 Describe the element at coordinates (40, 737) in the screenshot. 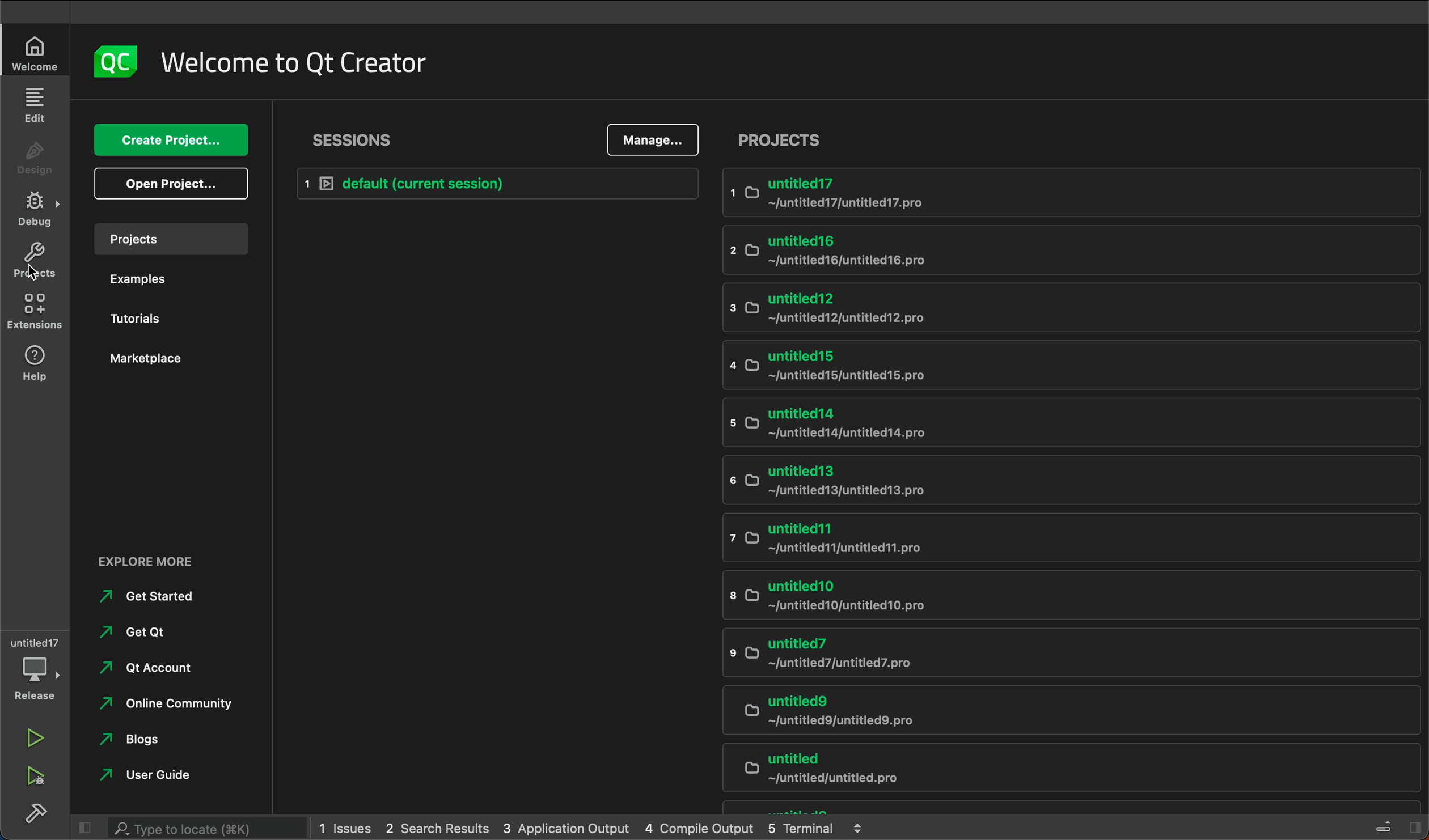

I see `run` at that location.